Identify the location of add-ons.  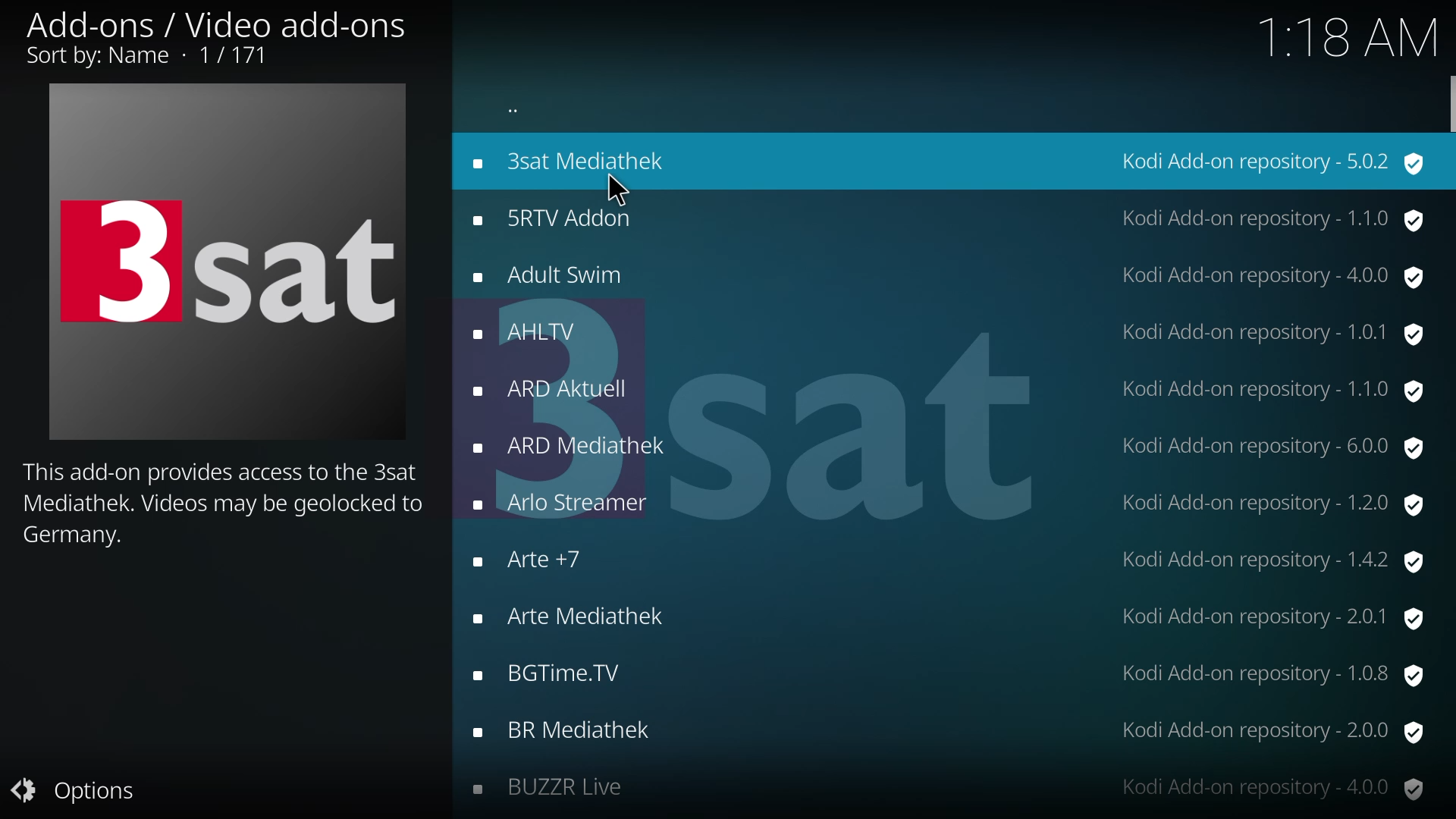
(544, 673).